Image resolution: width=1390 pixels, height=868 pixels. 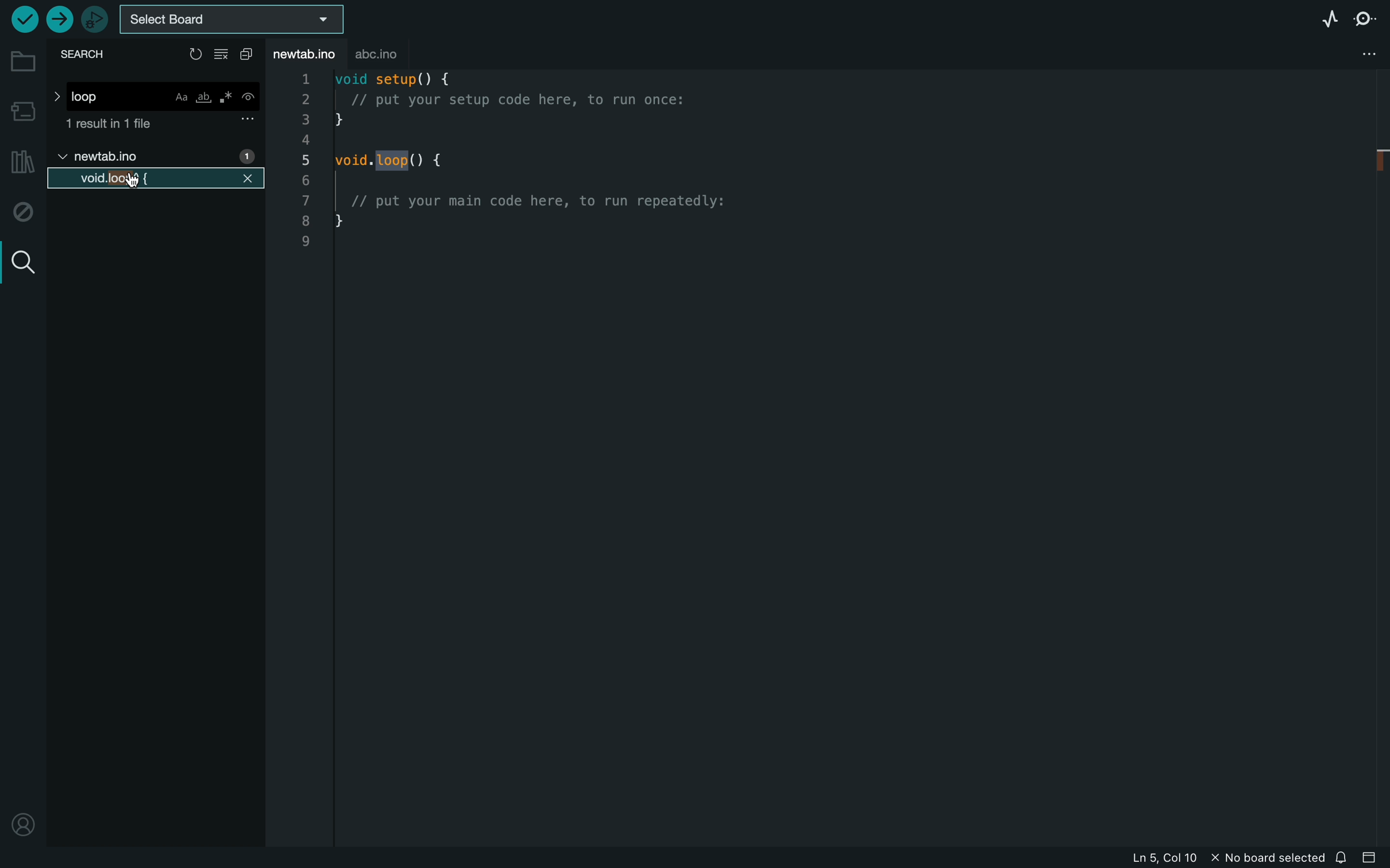 I want to click on clear, so click(x=223, y=55).